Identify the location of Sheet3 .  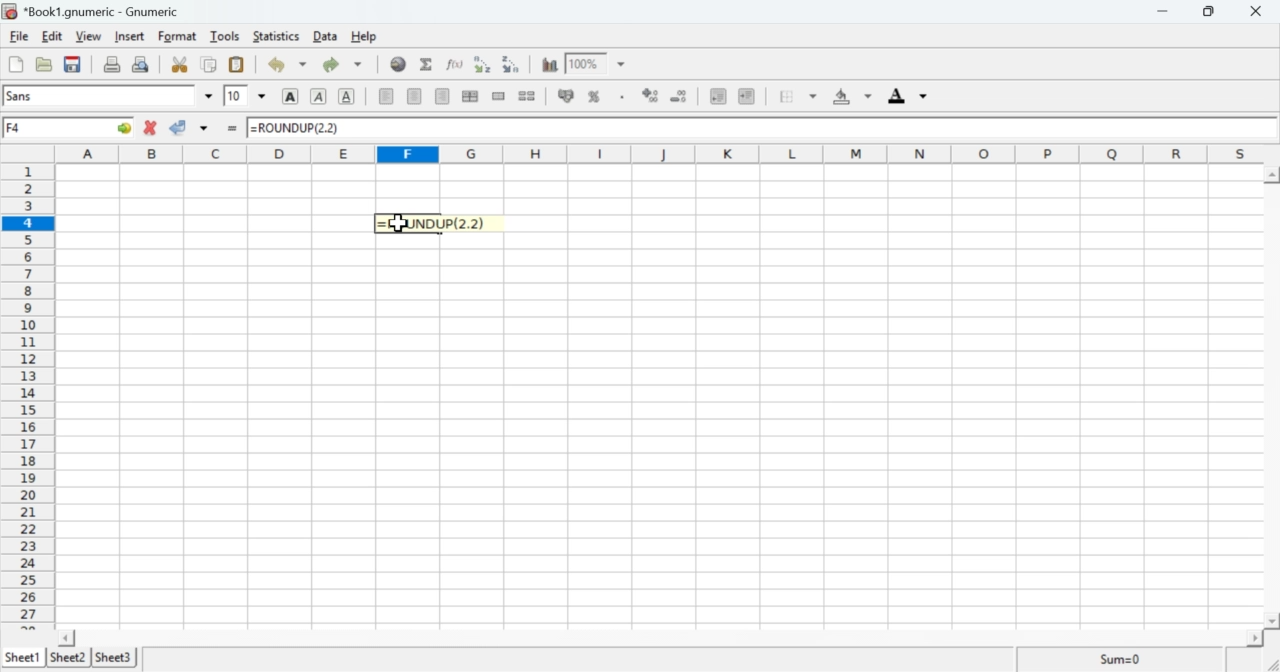
(118, 658).